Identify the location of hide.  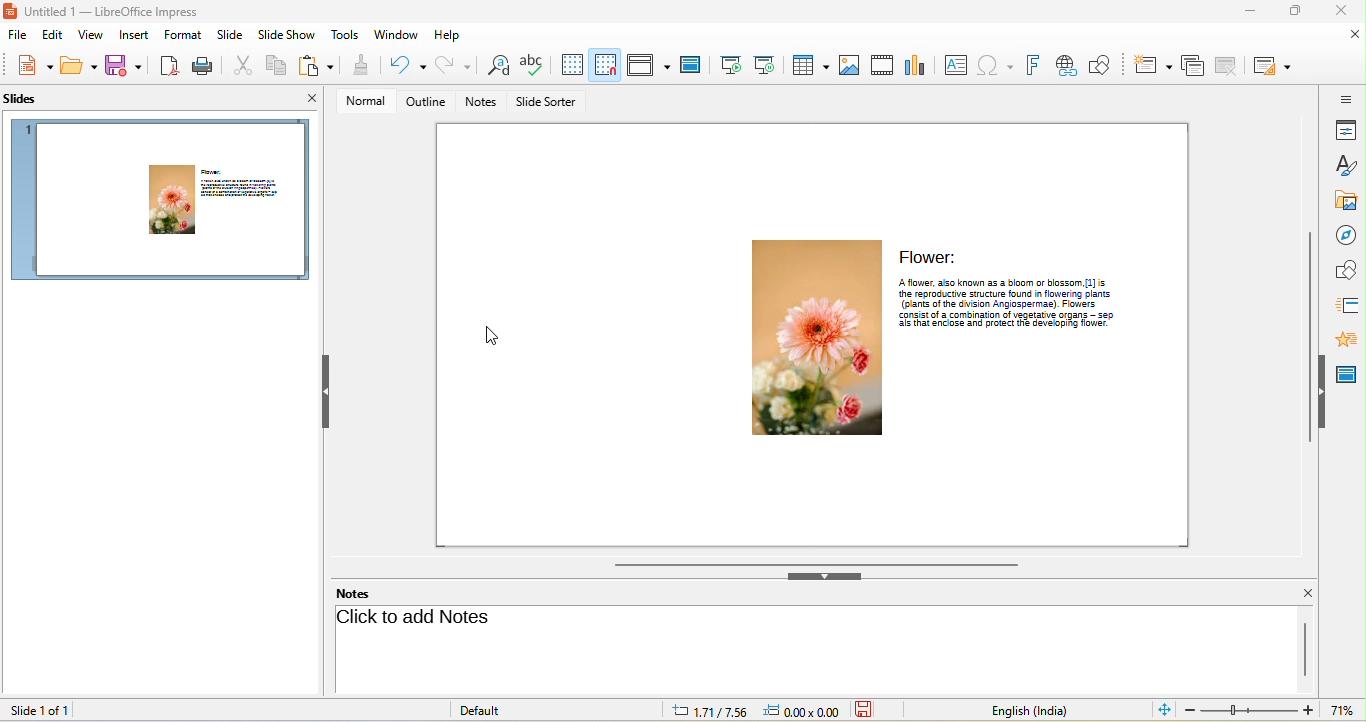
(826, 577).